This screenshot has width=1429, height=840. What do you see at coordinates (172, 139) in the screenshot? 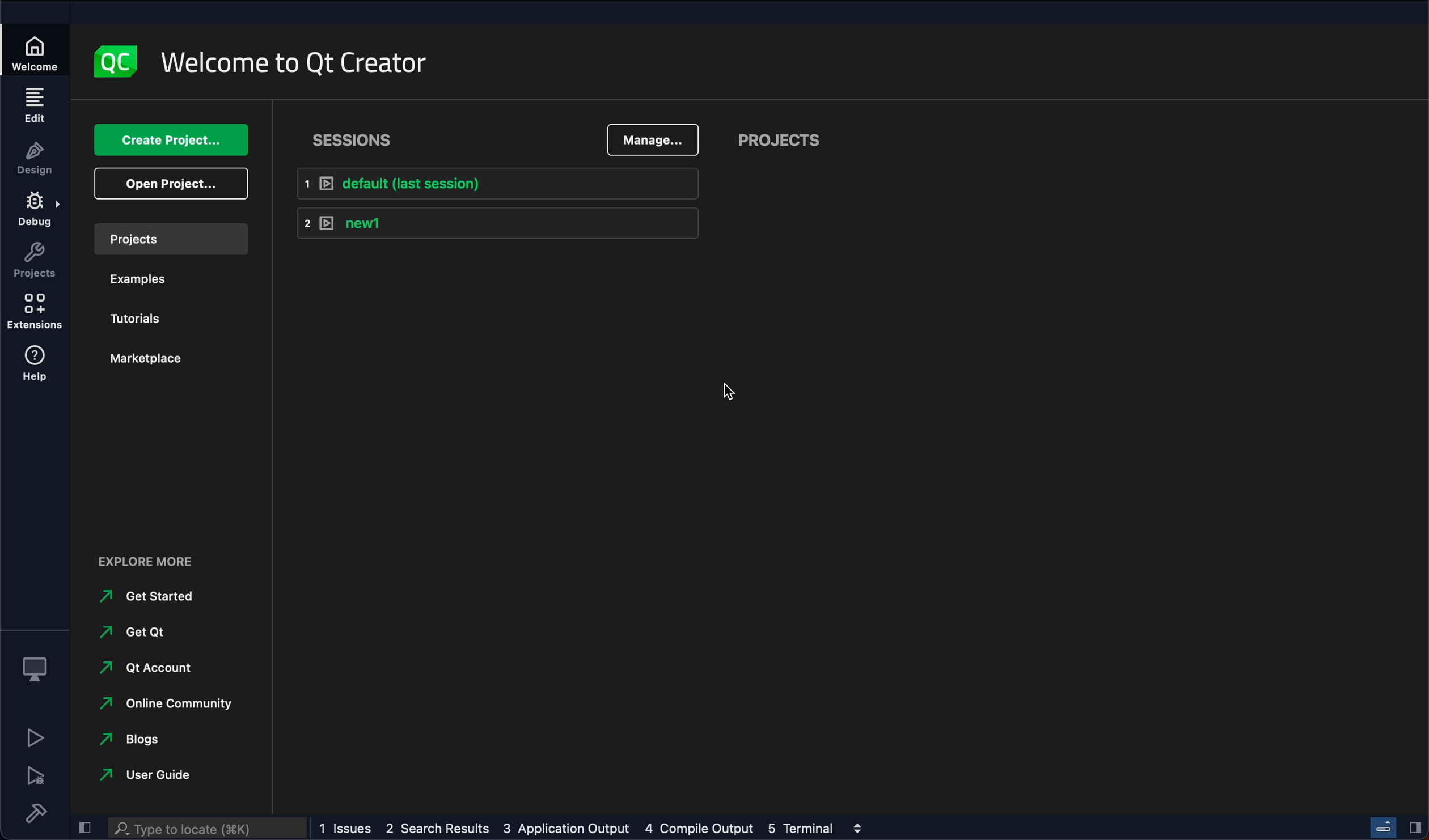
I see `create project` at bounding box center [172, 139].